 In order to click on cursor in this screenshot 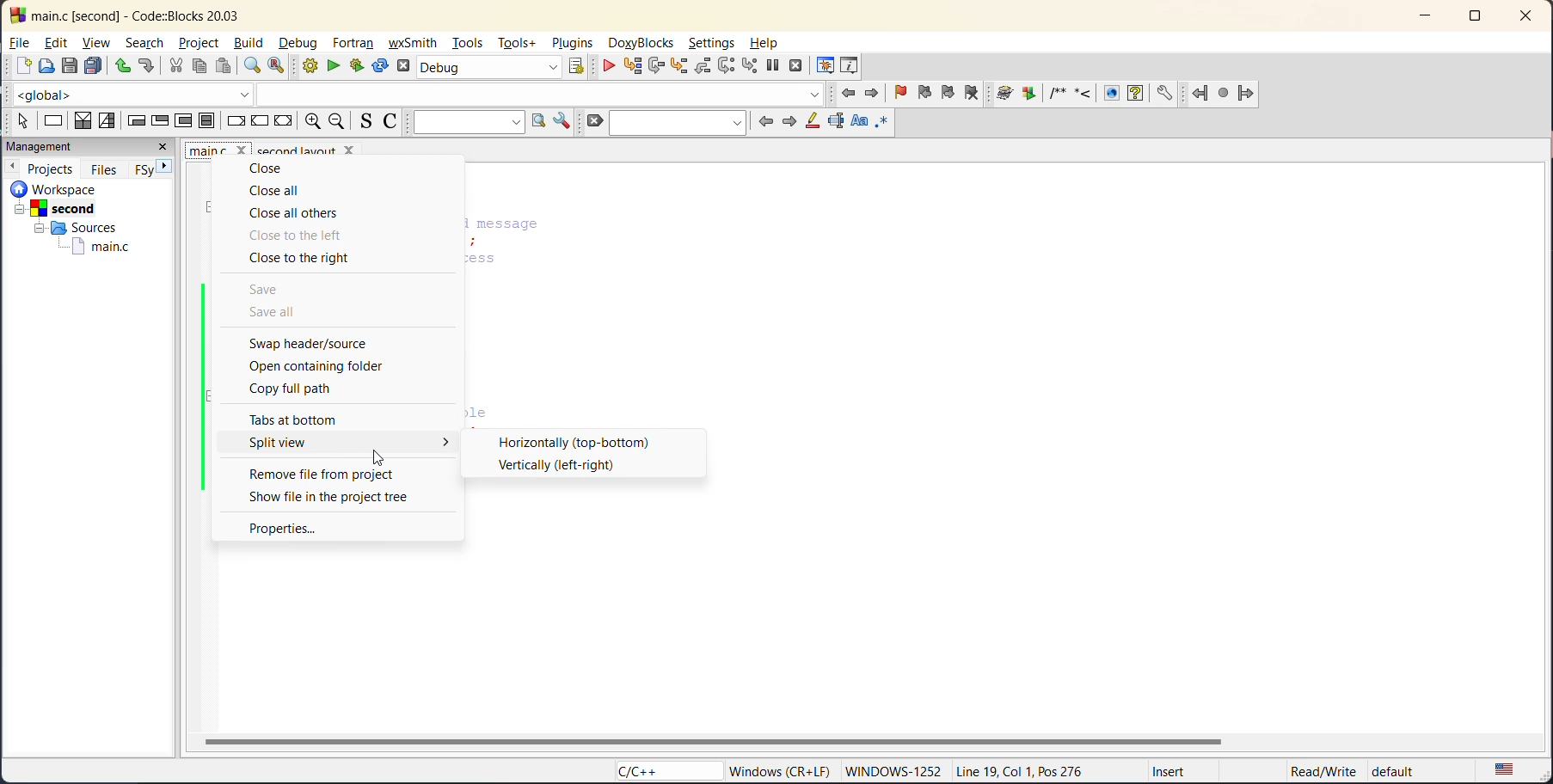, I will do `click(381, 456)`.